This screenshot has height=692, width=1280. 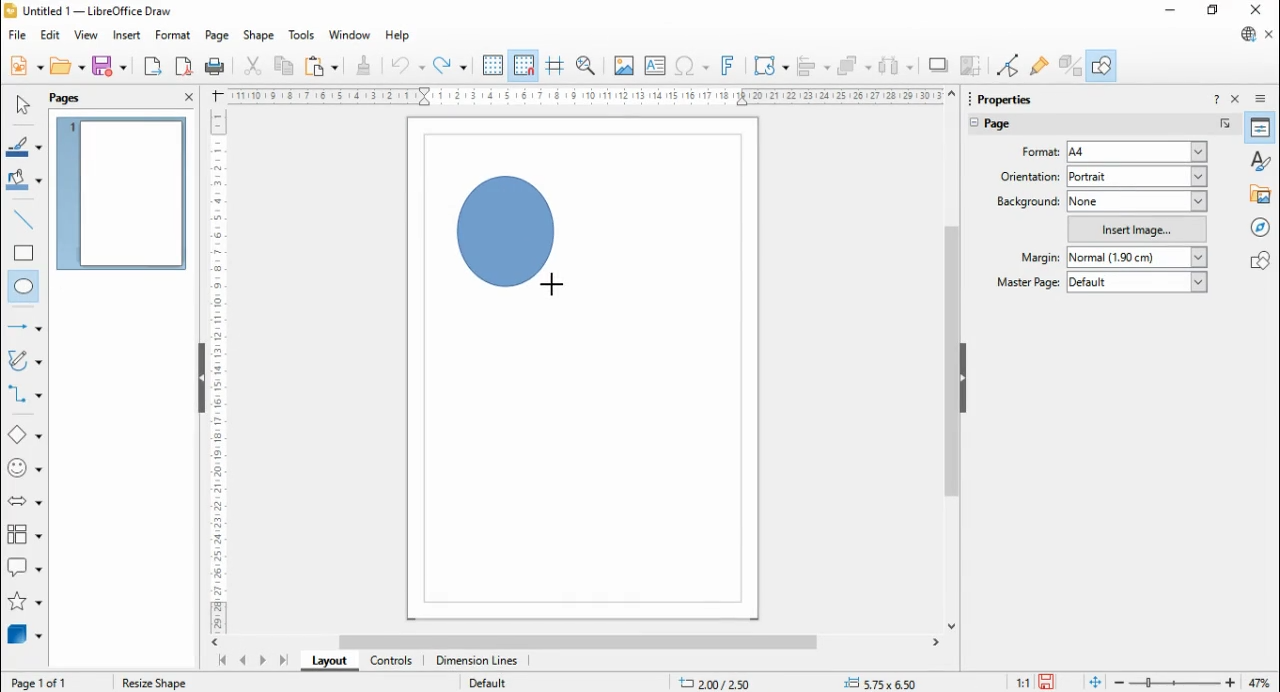 I want to click on close panel, so click(x=189, y=96).